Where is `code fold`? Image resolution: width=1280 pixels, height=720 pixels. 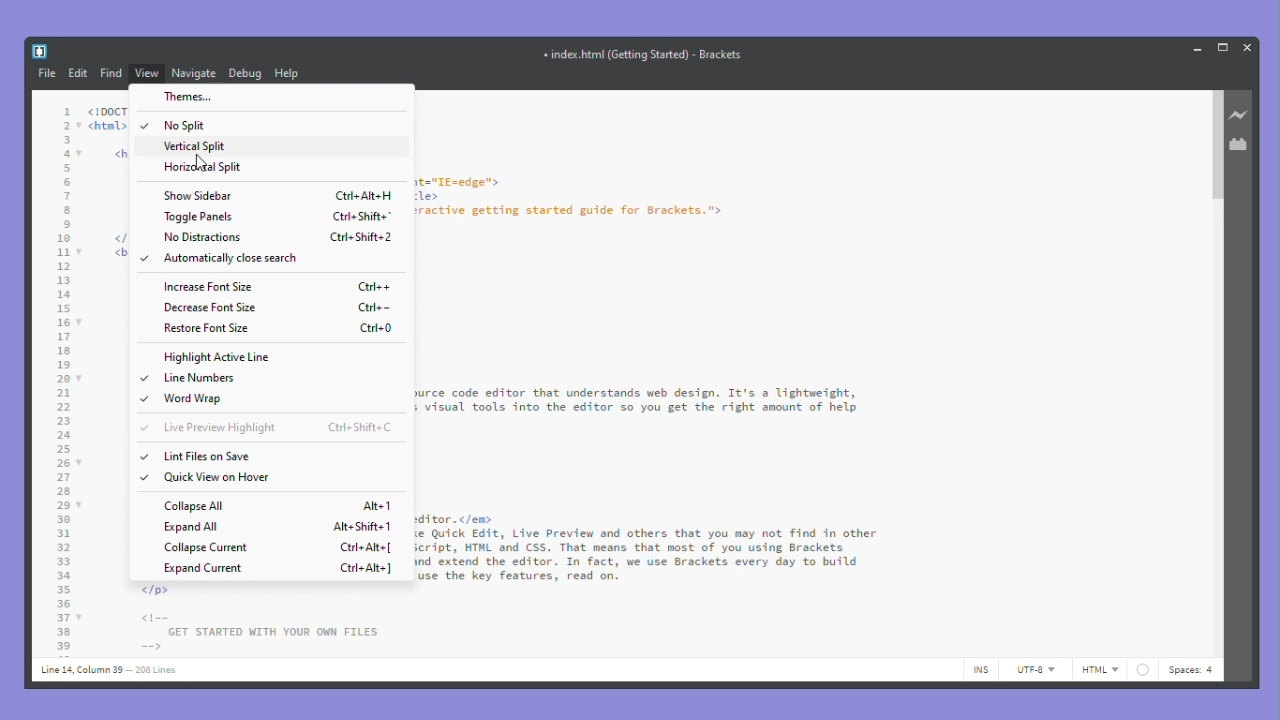 code fold is located at coordinates (81, 154).